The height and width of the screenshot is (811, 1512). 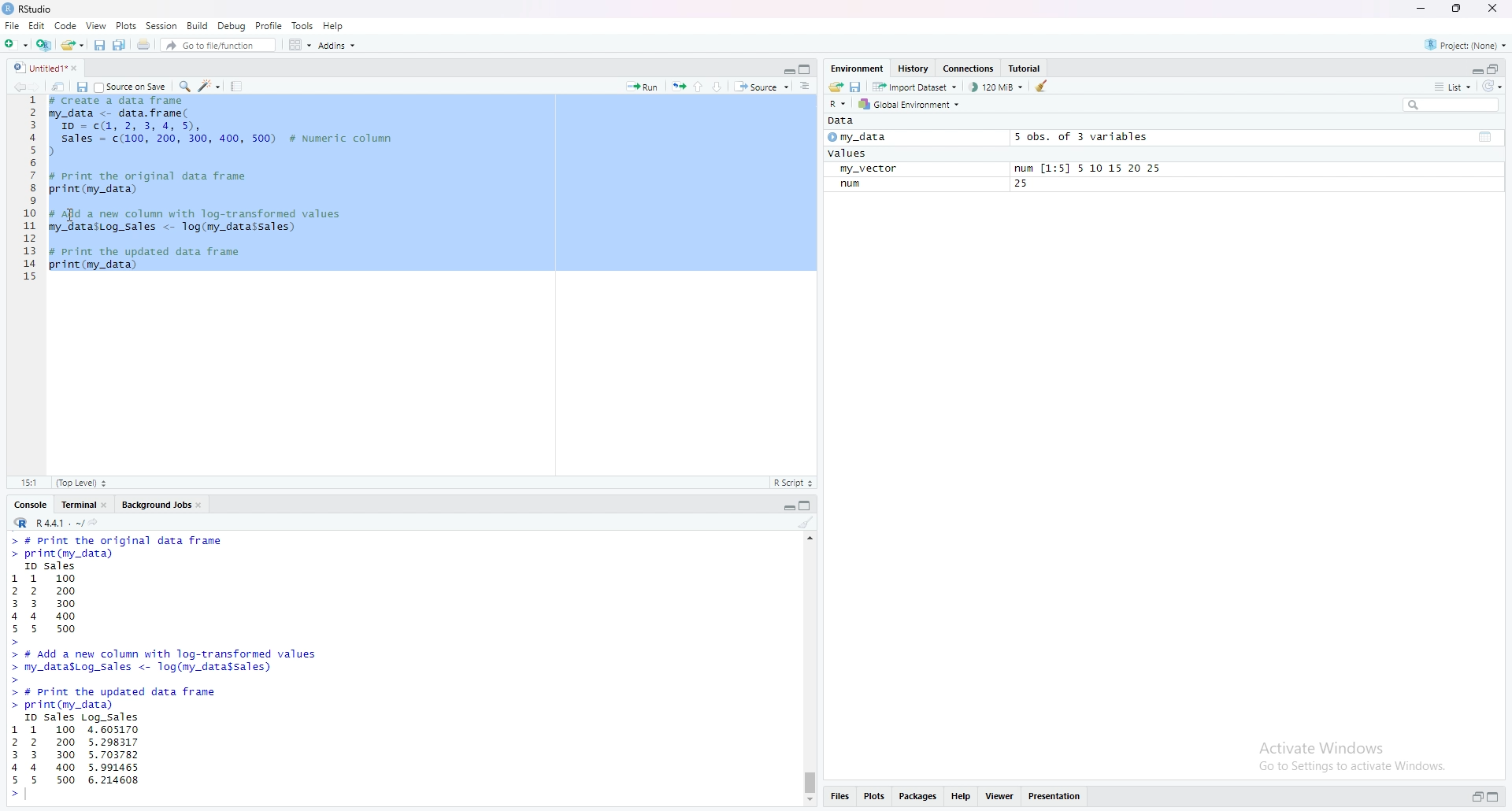 What do you see at coordinates (853, 185) in the screenshot?
I see `num` at bounding box center [853, 185].